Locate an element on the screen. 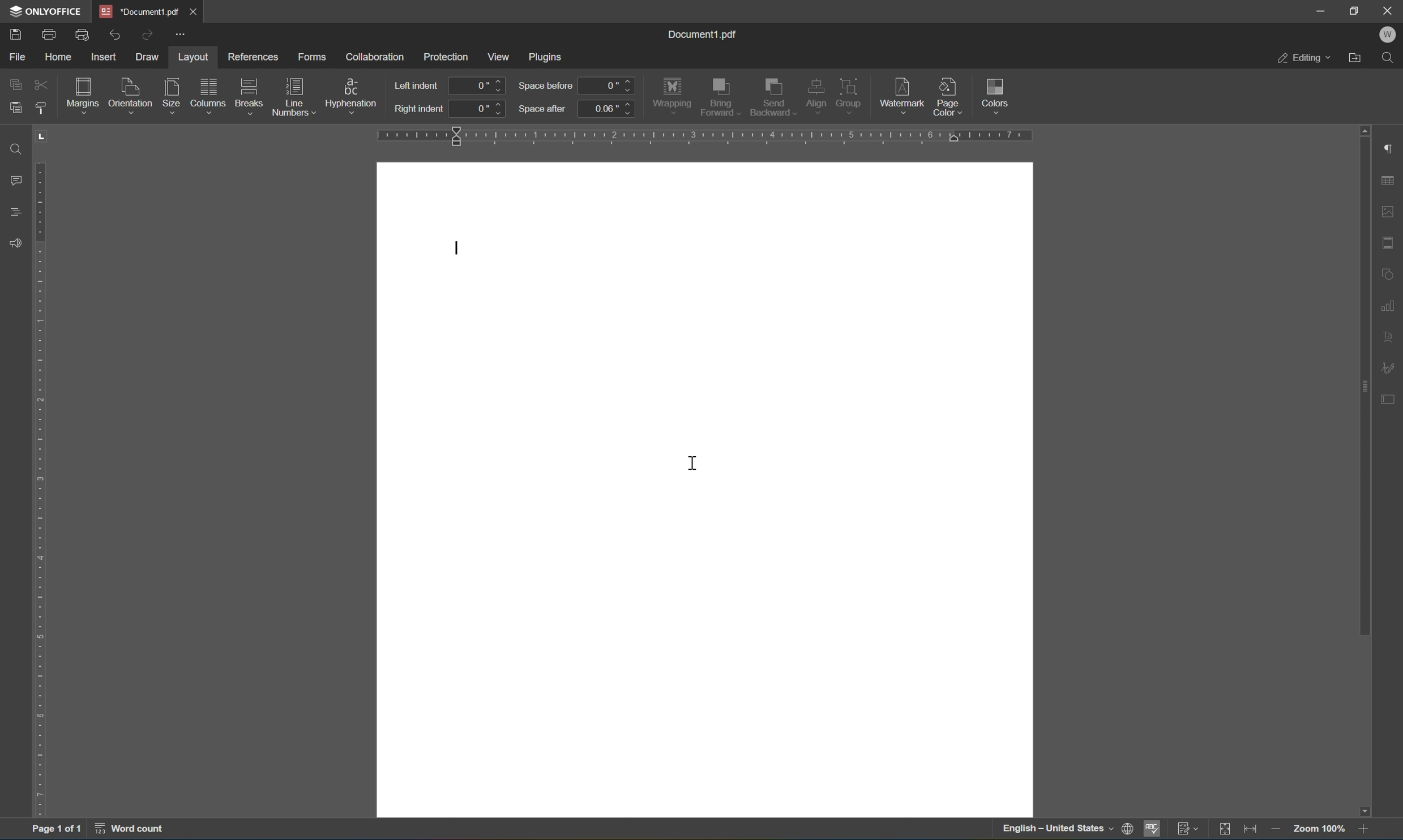  view is located at coordinates (502, 56).